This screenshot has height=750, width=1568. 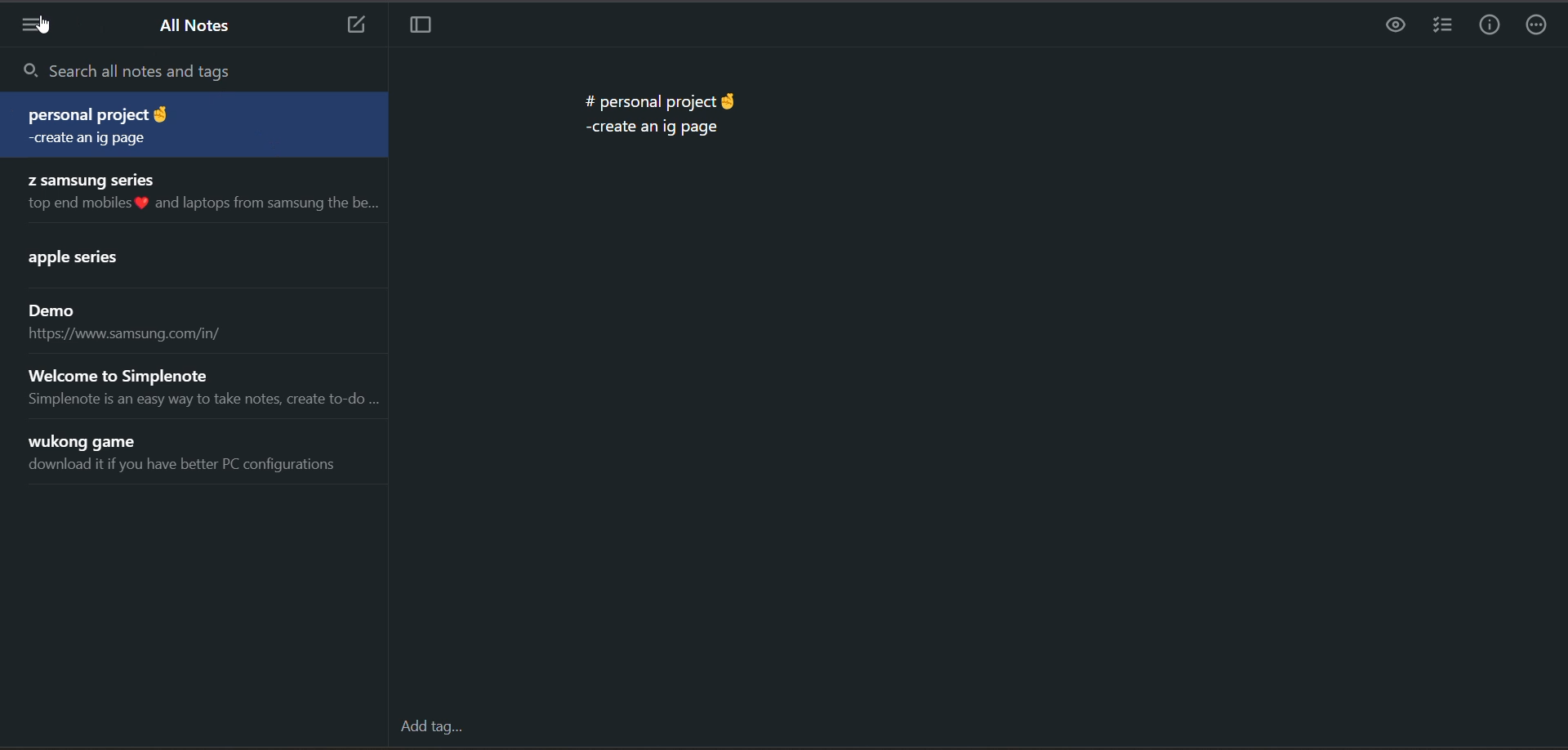 What do you see at coordinates (1492, 28) in the screenshot?
I see `info` at bounding box center [1492, 28].